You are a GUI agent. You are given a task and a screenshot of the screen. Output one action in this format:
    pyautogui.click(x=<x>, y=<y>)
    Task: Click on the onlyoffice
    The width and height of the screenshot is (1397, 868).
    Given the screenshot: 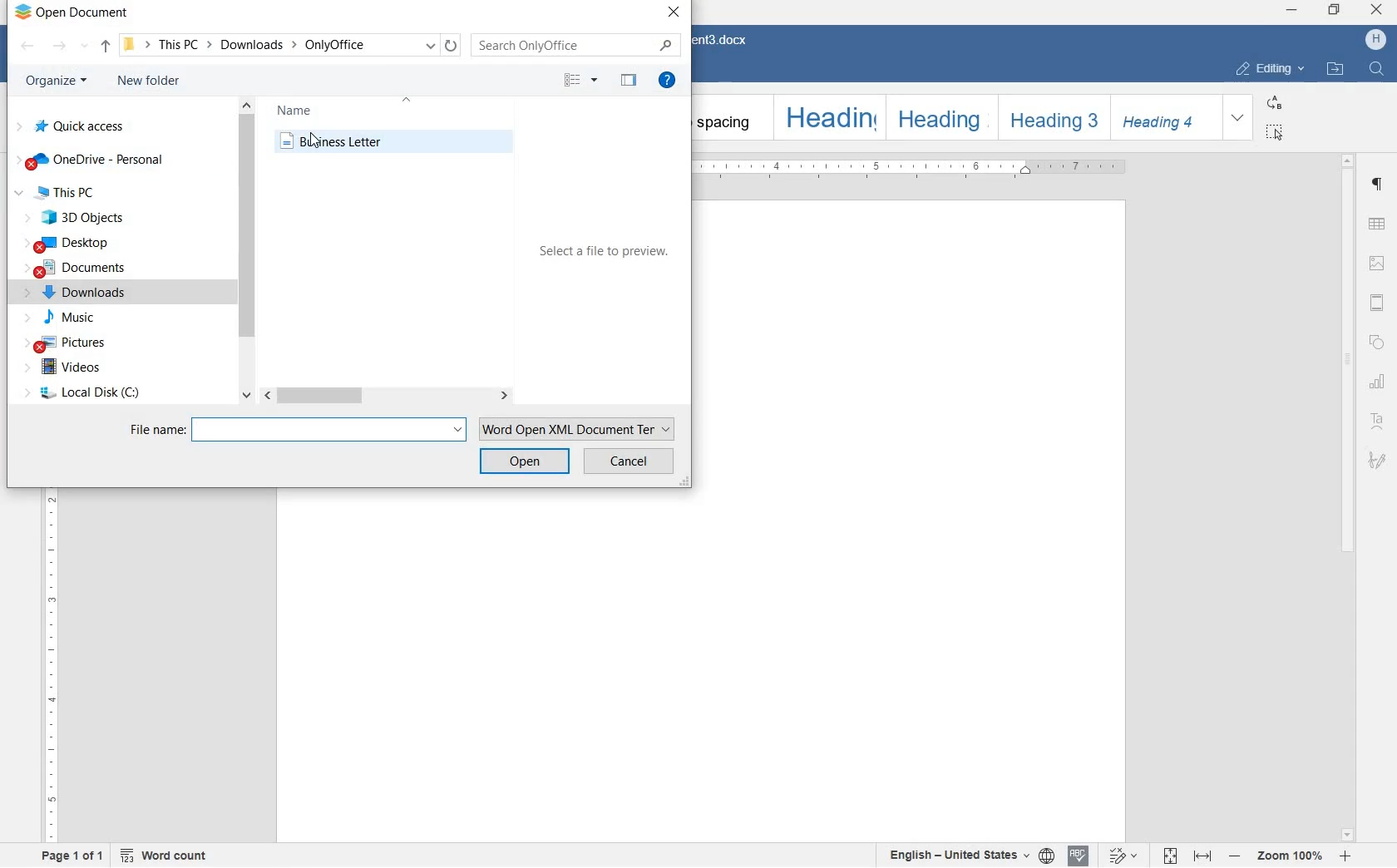 What is the action you would take?
    pyautogui.click(x=348, y=44)
    